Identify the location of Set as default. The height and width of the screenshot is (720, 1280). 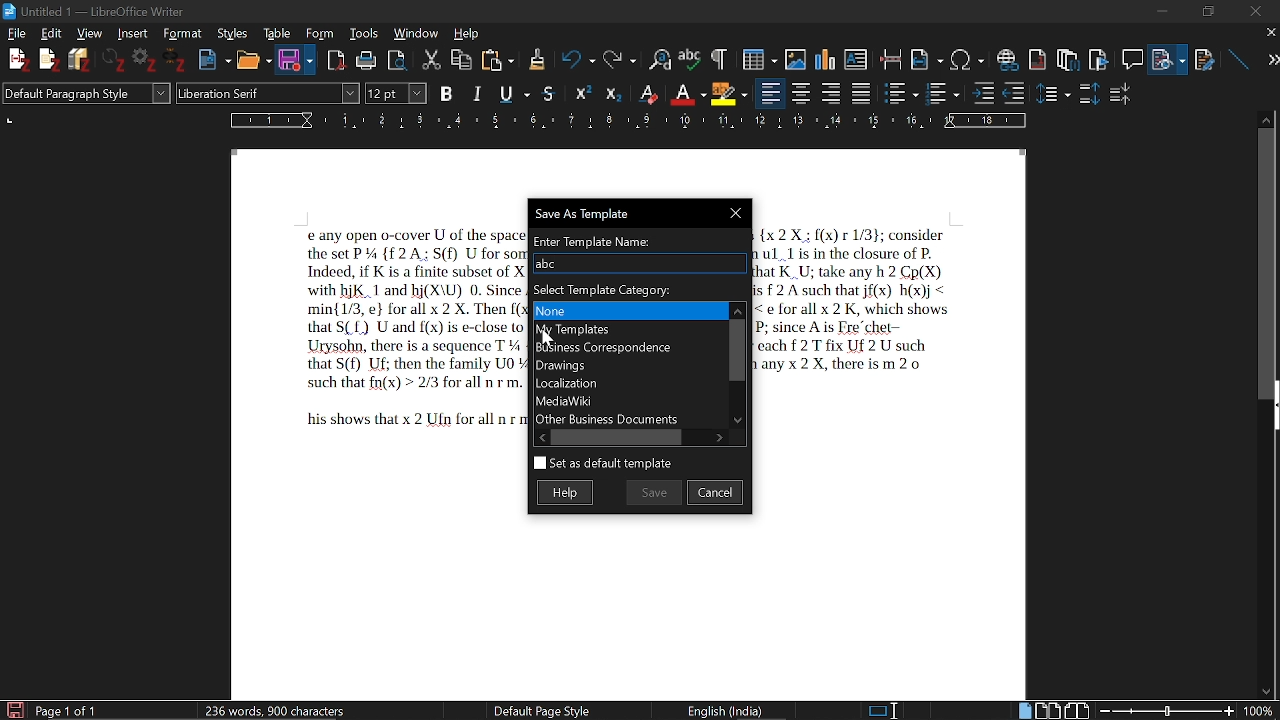
(602, 464).